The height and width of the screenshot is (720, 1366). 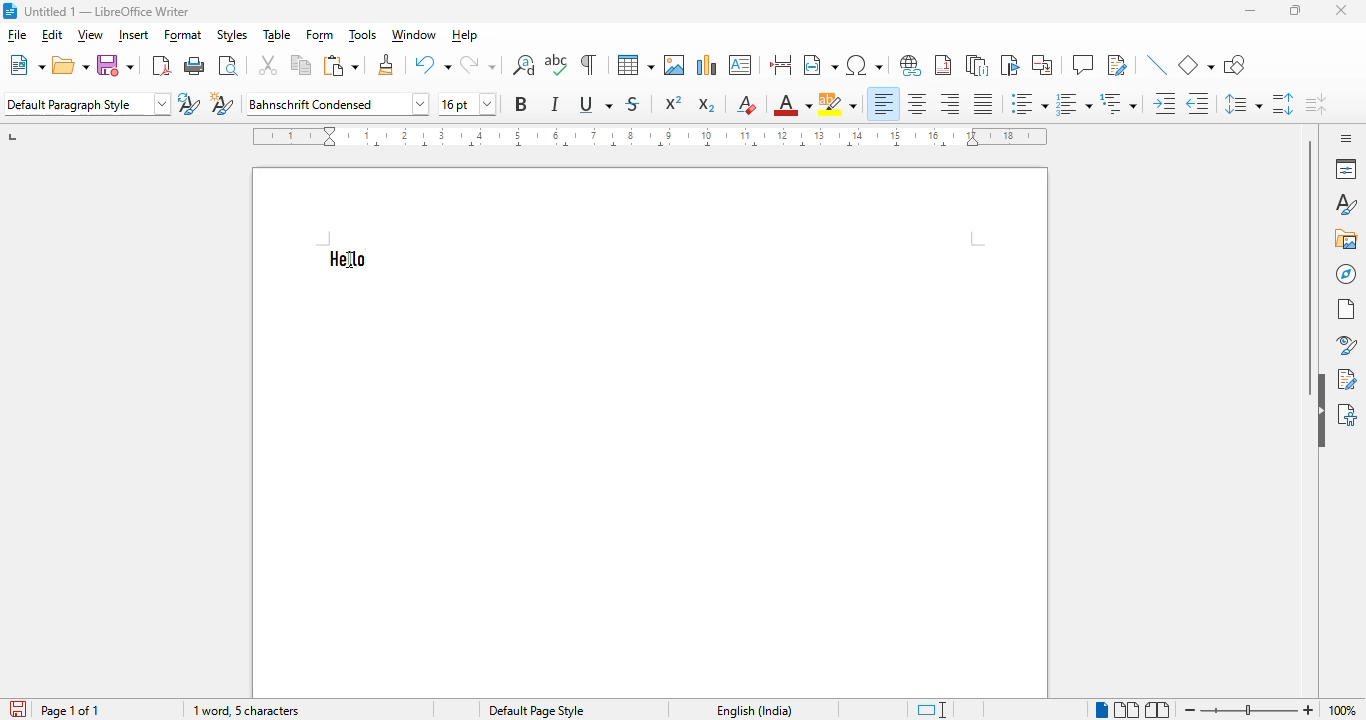 I want to click on copy, so click(x=300, y=64).